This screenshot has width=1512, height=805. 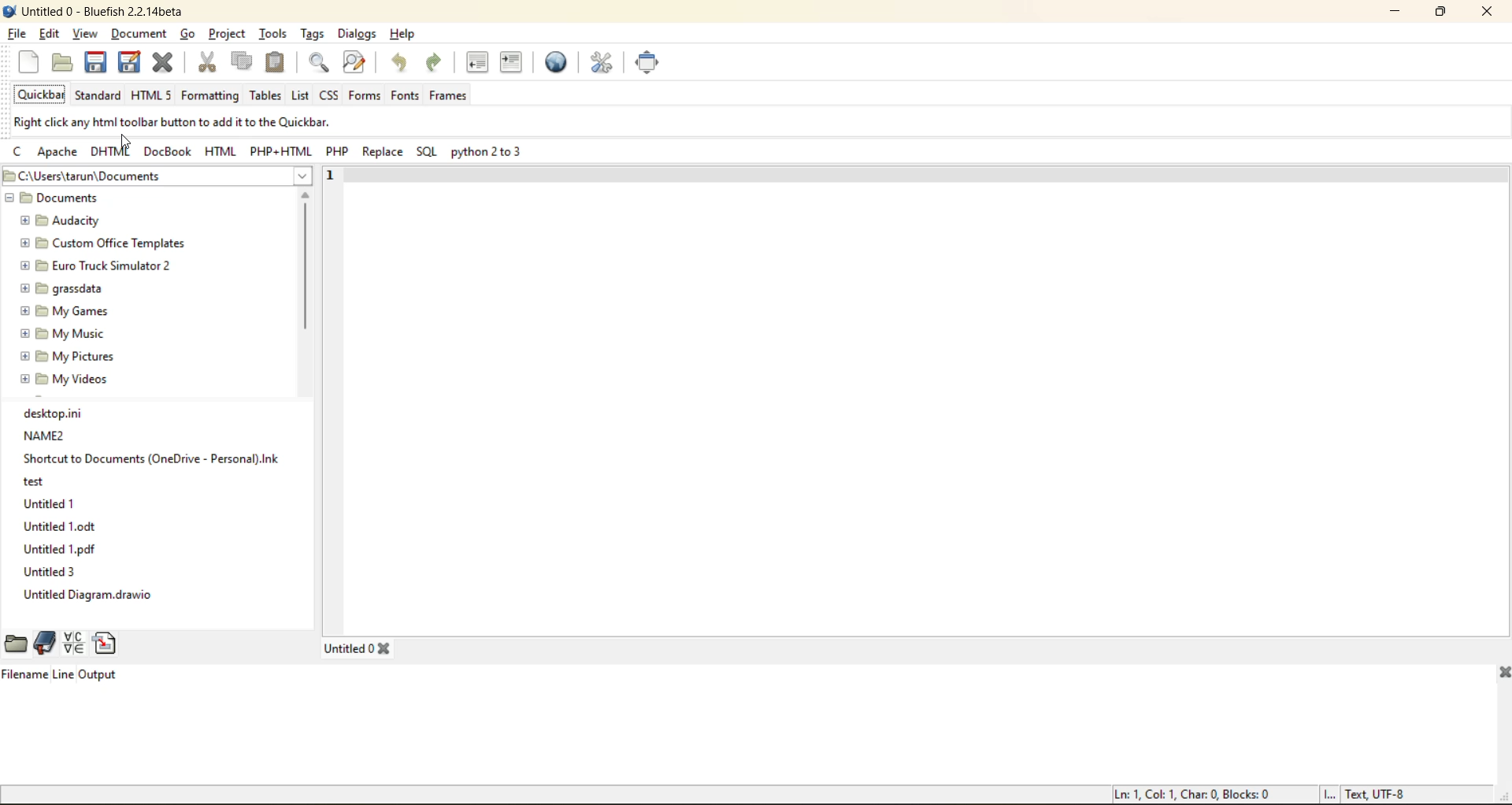 What do you see at coordinates (42, 93) in the screenshot?
I see `quickbar` at bounding box center [42, 93].